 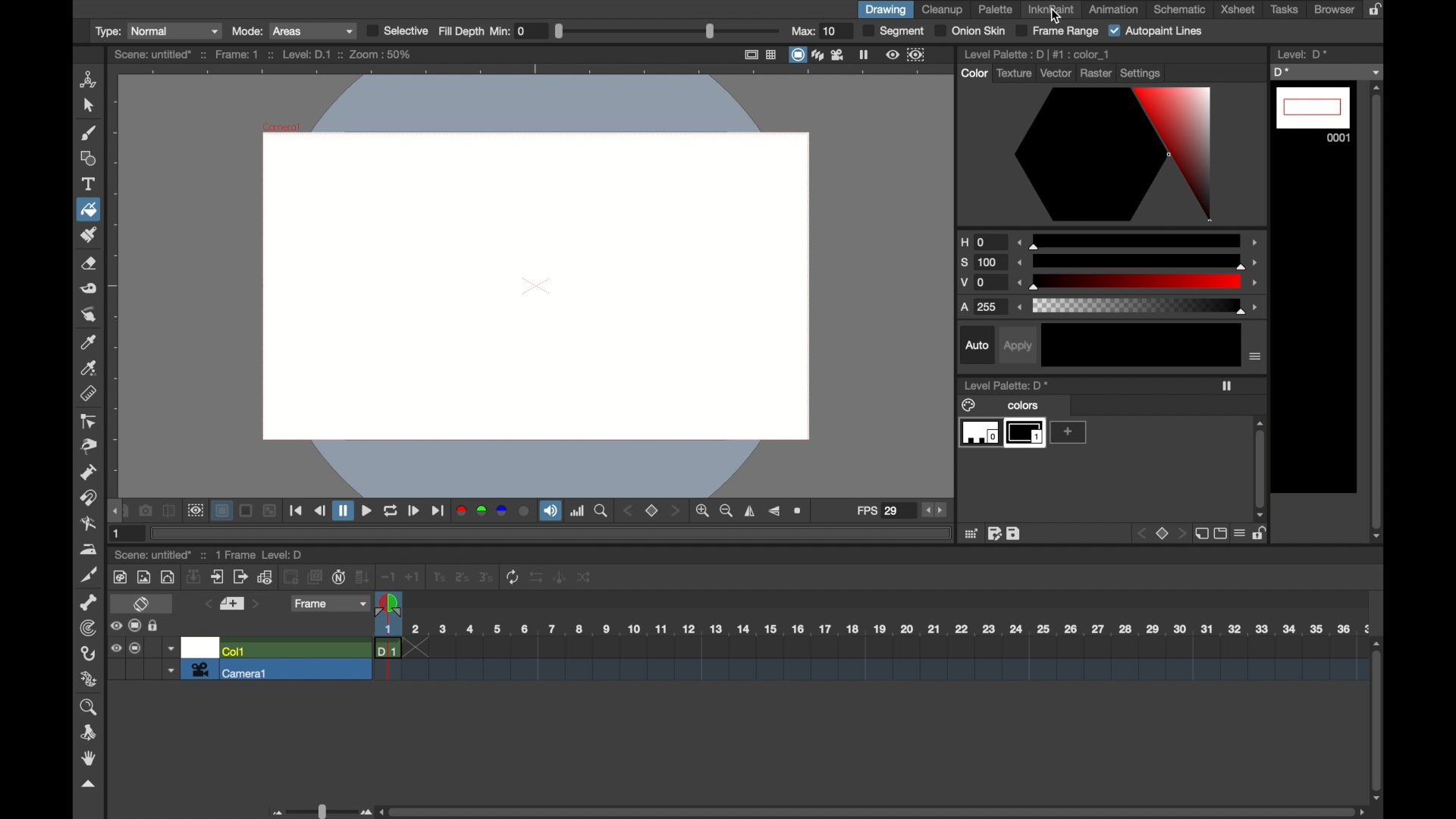 What do you see at coordinates (983, 263) in the screenshot?
I see `S` at bounding box center [983, 263].